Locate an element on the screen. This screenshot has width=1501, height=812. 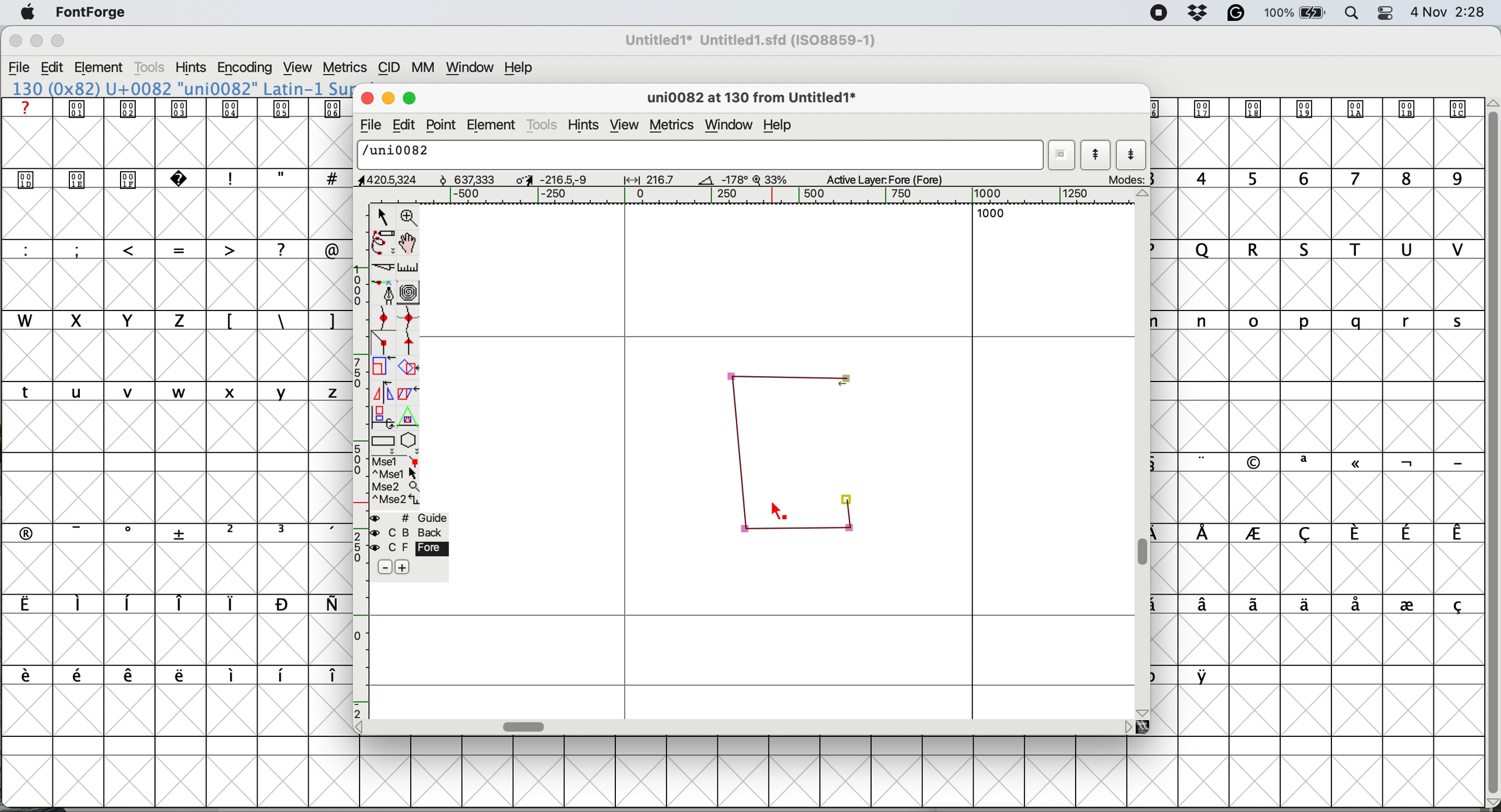
corner point is located at coordinates (851, 496).